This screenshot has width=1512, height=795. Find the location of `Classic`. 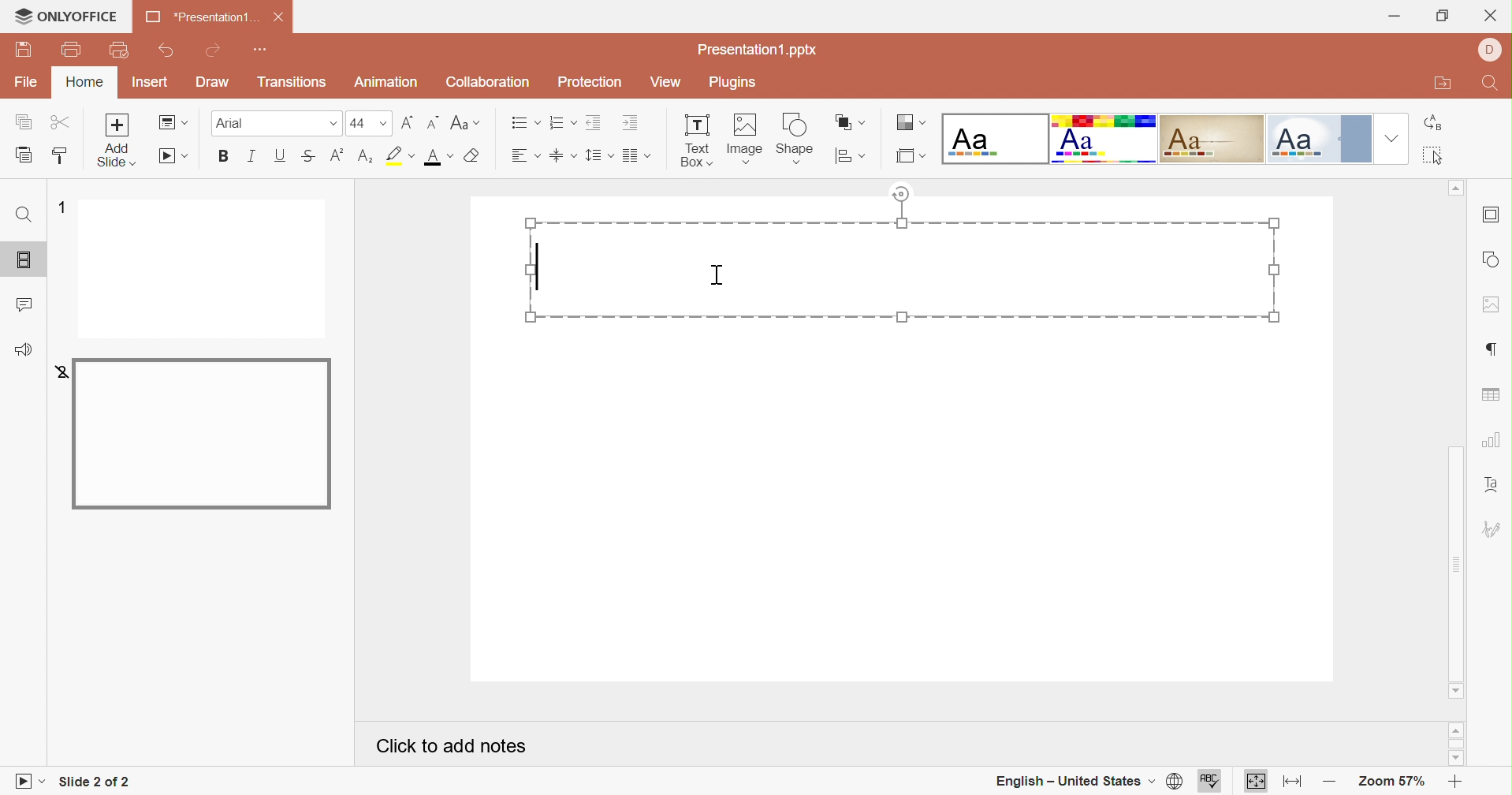

Classic is located at coordinates (1210, 139).